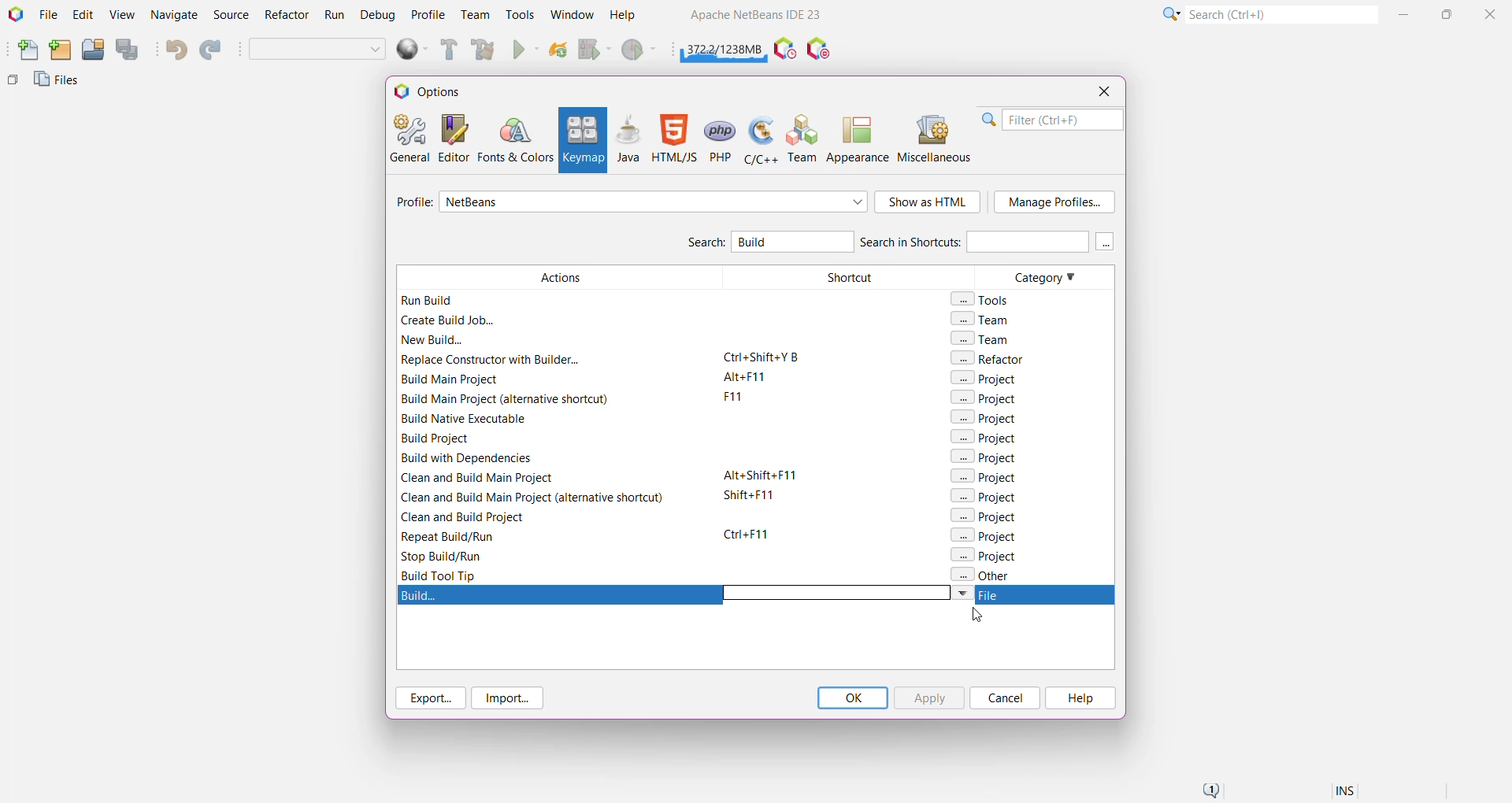 Image resolution: width=1512 pixels, height=803 pixels. What do you see at coordinates (486, 51) in the screenshot?
I see `Clean and Build Main Project` at bounding box center [486, 51].